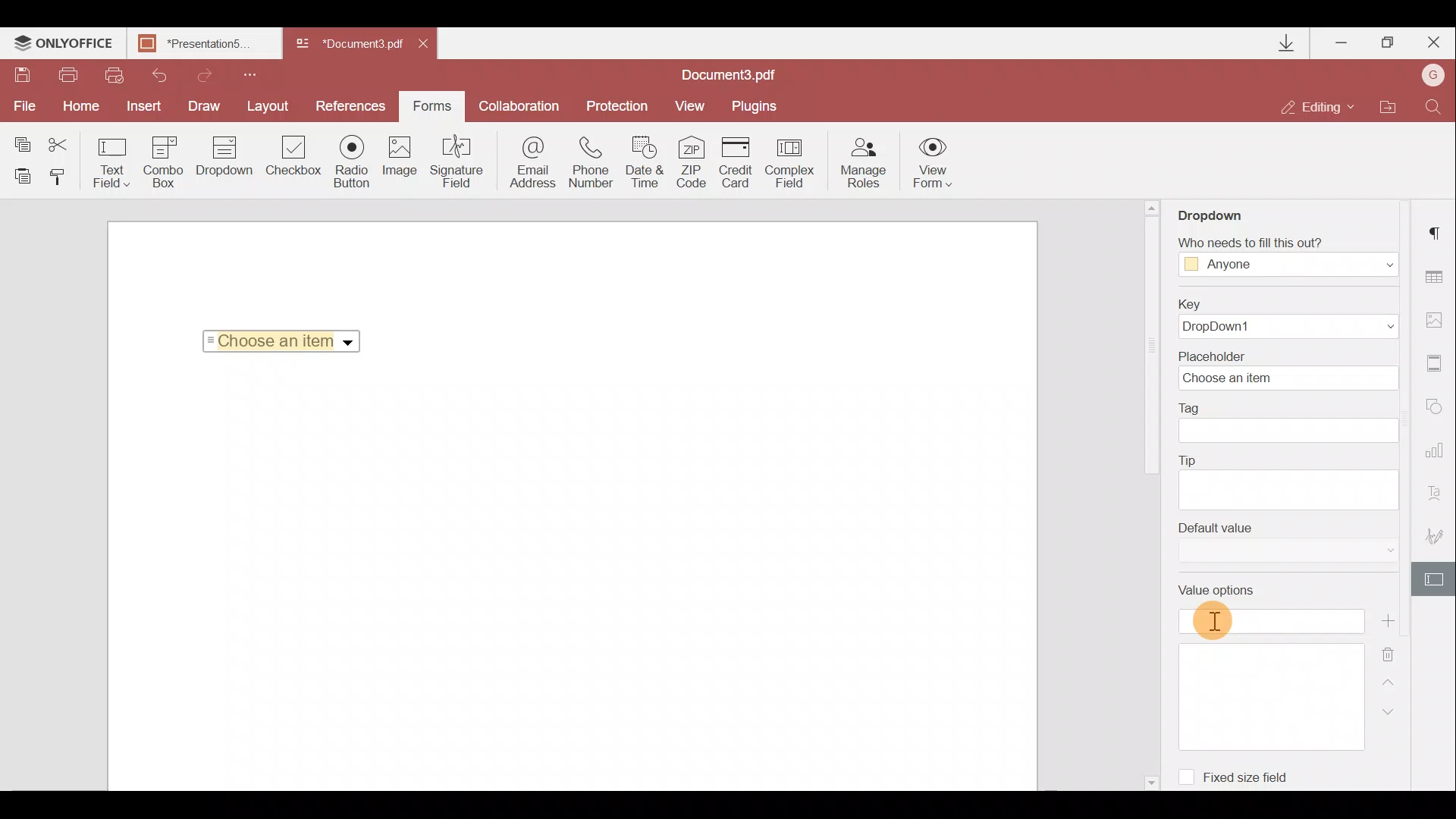 This screenshot has height=819, width=1456. What do you see at coordinates (453, 161) in the screenshot?
I see `Signature field` at bounding box center [453, 161].